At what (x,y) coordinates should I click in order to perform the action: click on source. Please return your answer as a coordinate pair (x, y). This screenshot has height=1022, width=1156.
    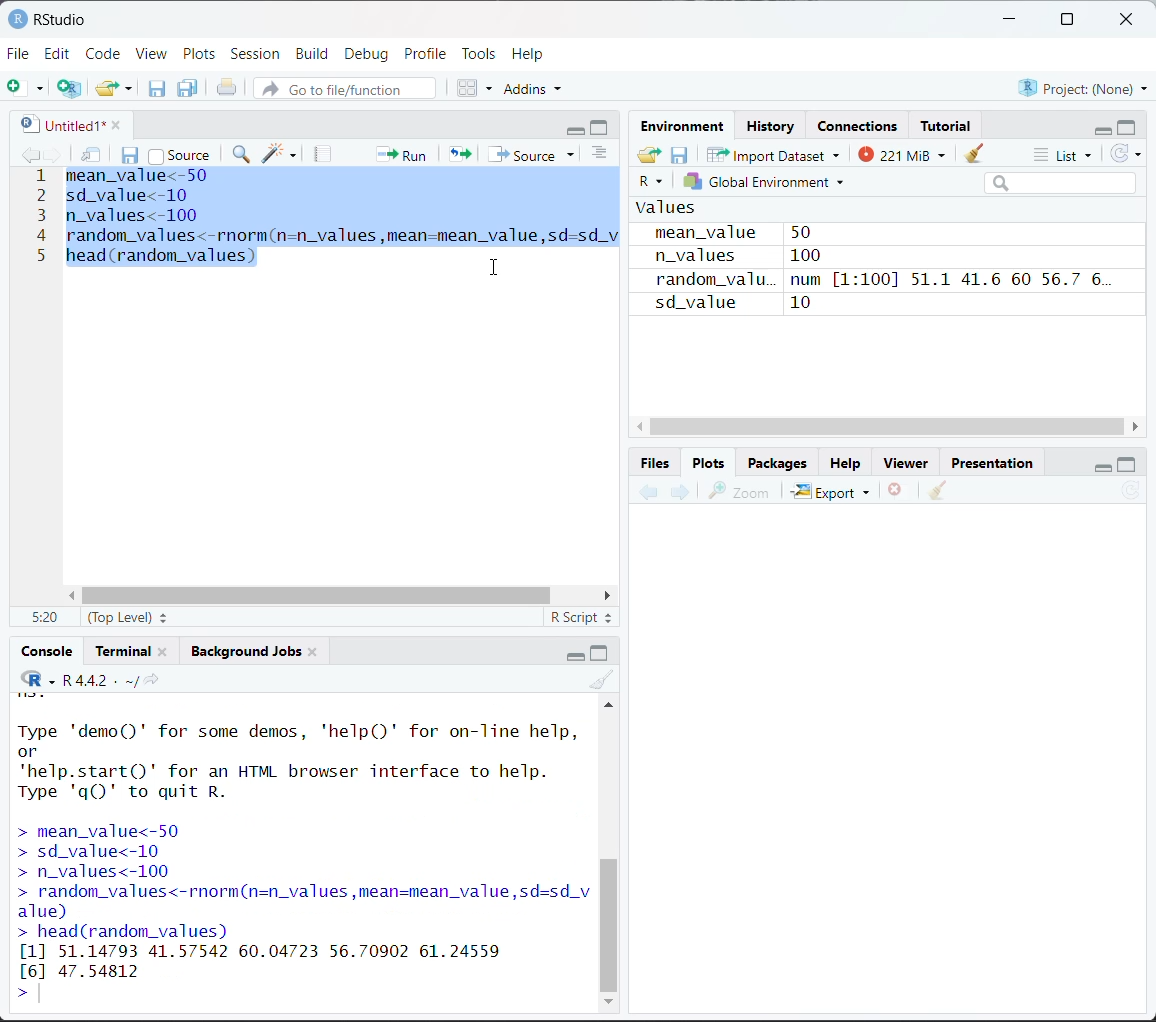
    Looking at the image, I should click on (535, 154).